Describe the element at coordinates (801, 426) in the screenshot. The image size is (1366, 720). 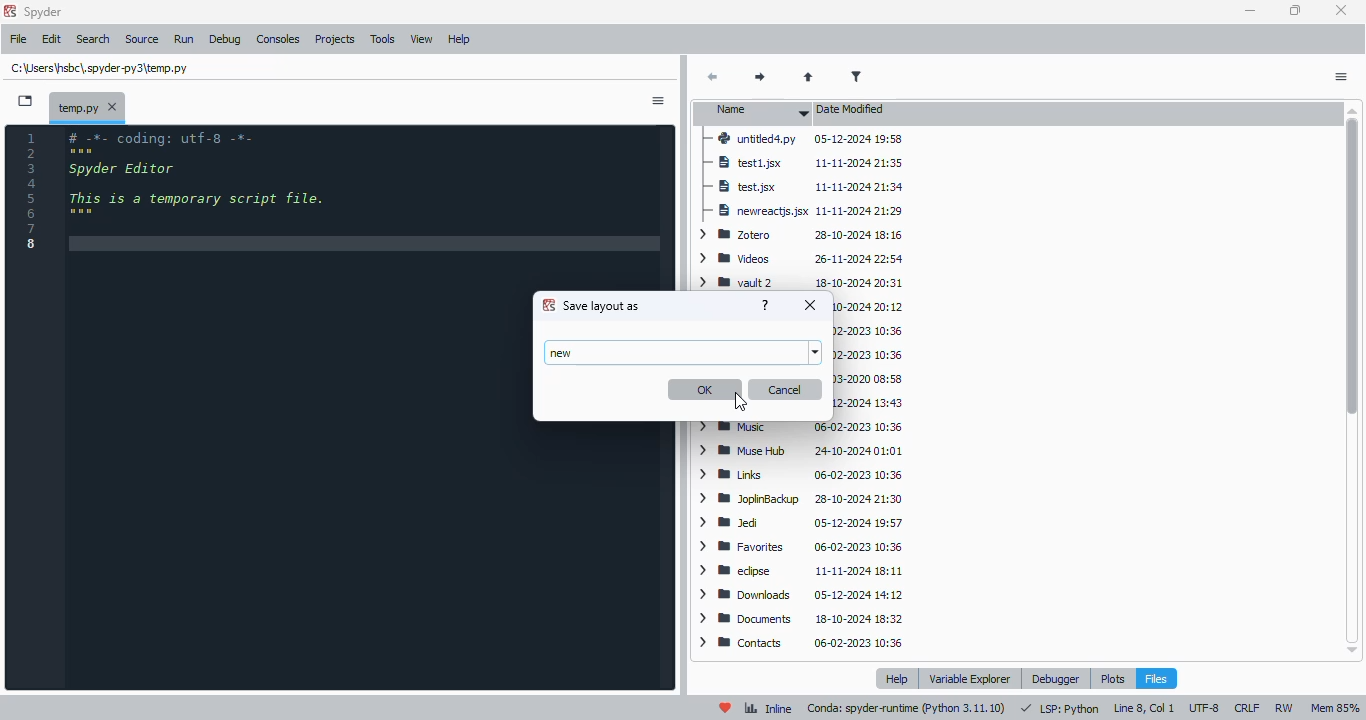
I see `Music` at that location.